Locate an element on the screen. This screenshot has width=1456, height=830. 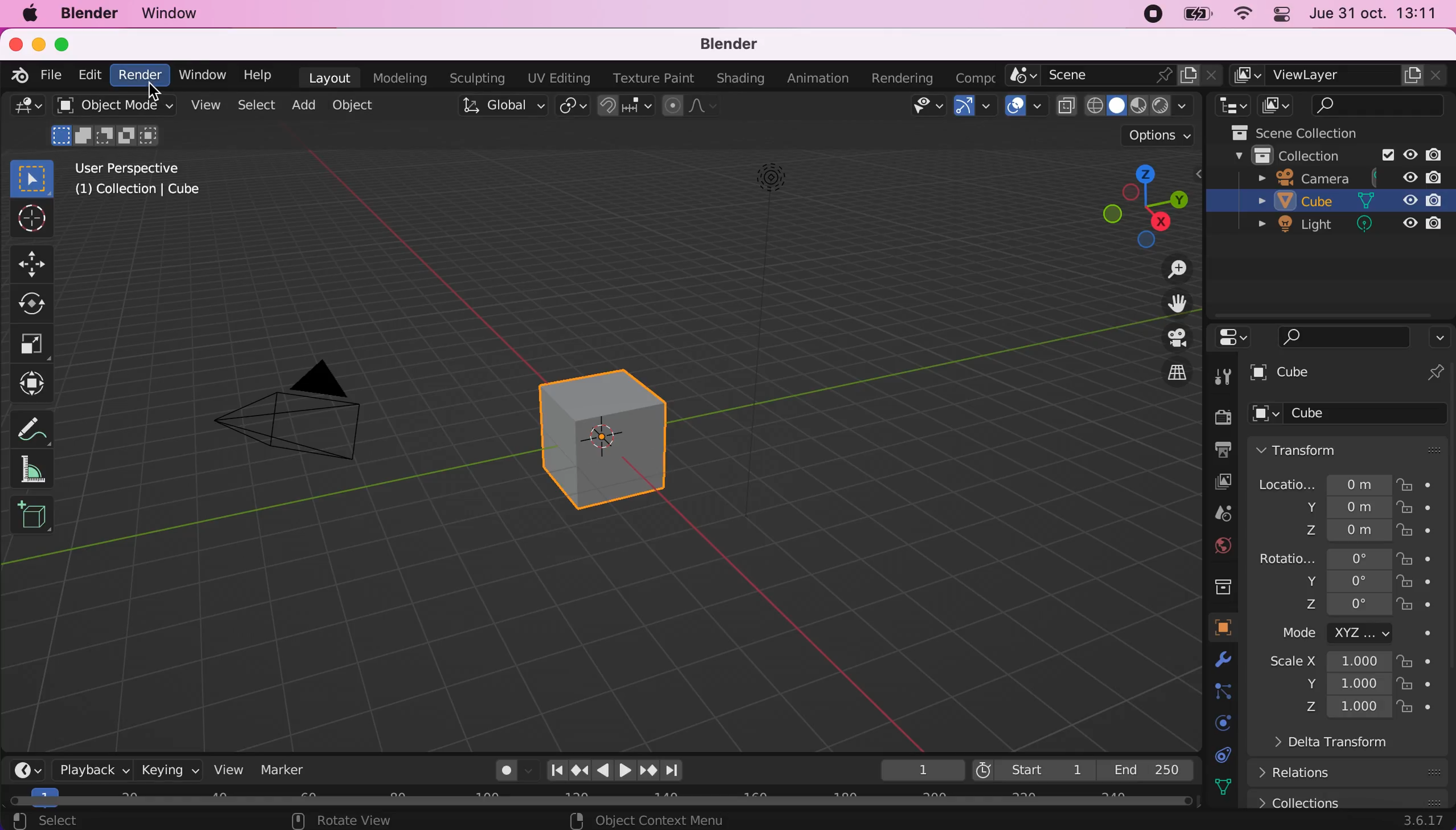
select is located at coordinates (254, 105).